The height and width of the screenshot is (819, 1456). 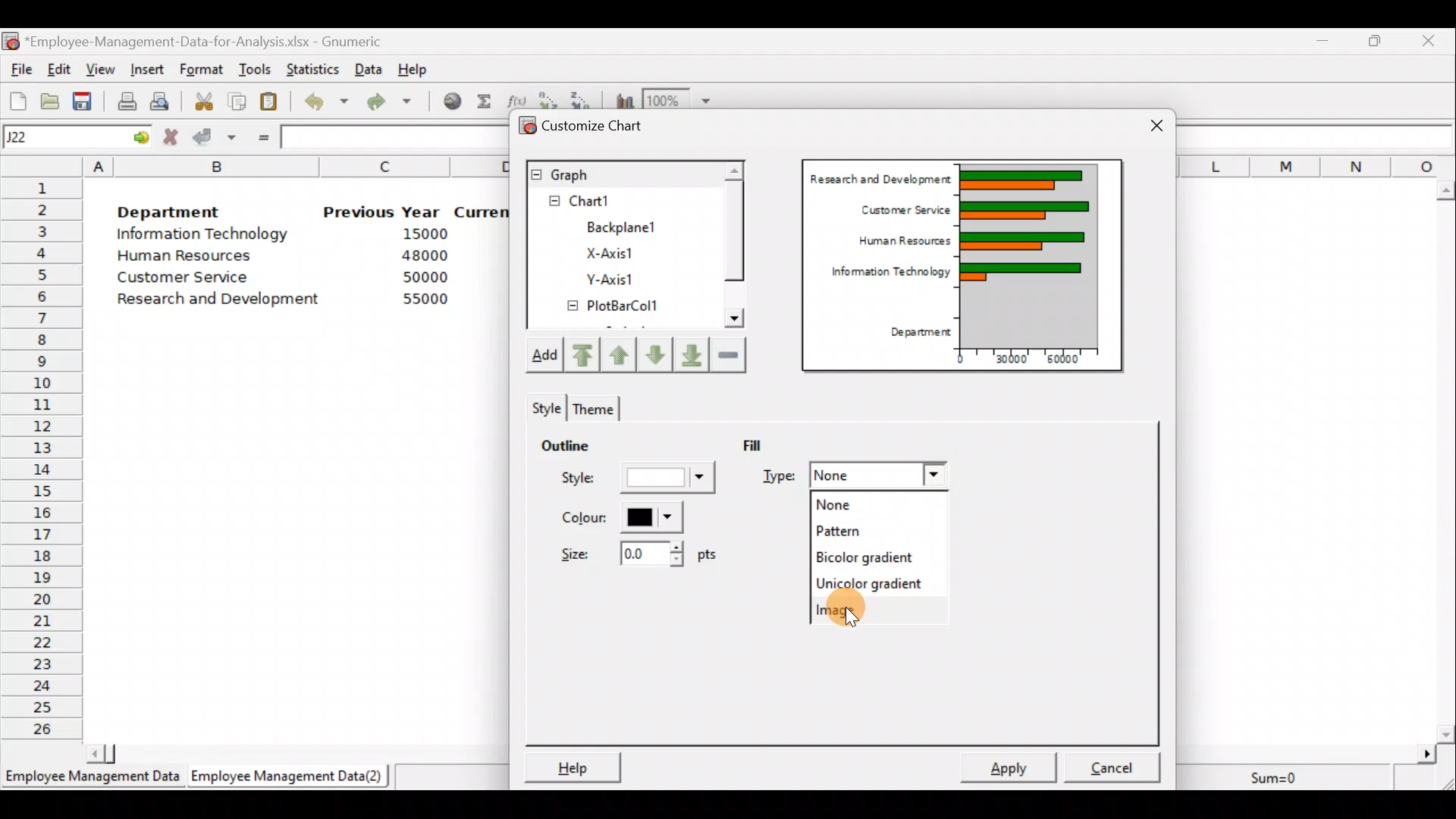 What do you see at coordinates (397, 103) in the screenshot?
I see `Redo undone action` at bounding box center [397, 103].